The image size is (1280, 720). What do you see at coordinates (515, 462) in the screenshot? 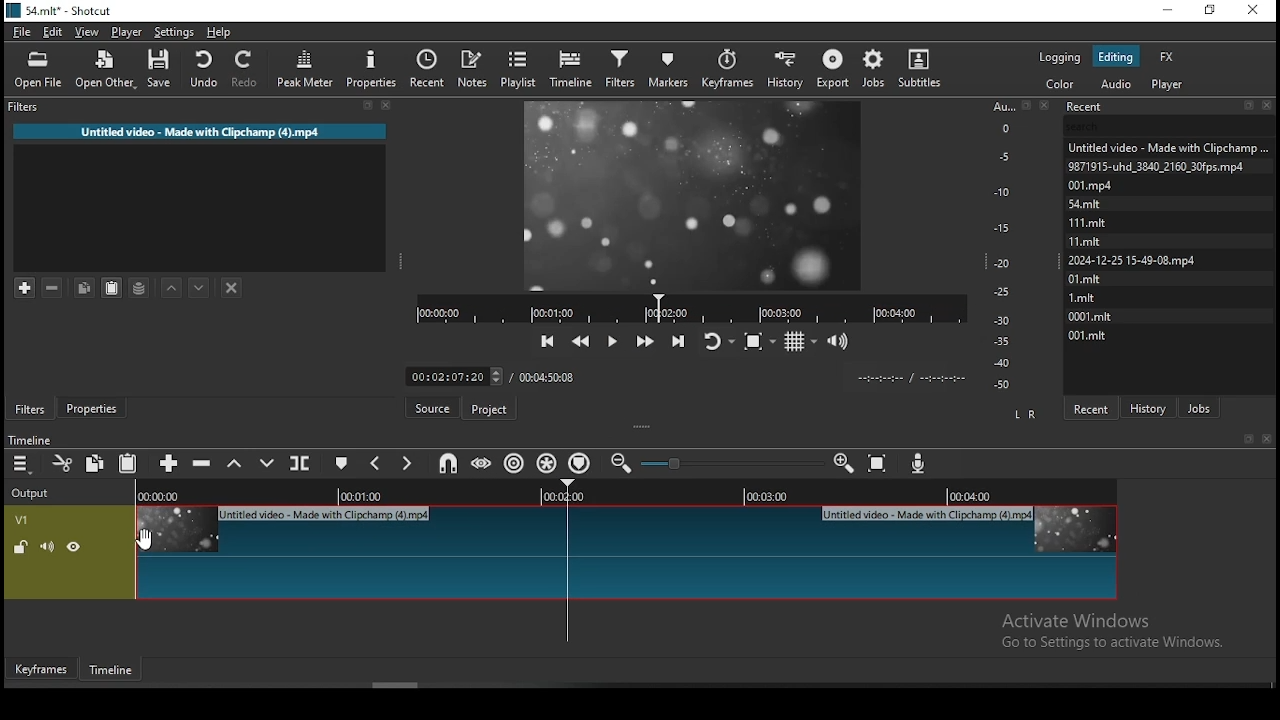
I see `ripple` at bounding box center [515, 462].